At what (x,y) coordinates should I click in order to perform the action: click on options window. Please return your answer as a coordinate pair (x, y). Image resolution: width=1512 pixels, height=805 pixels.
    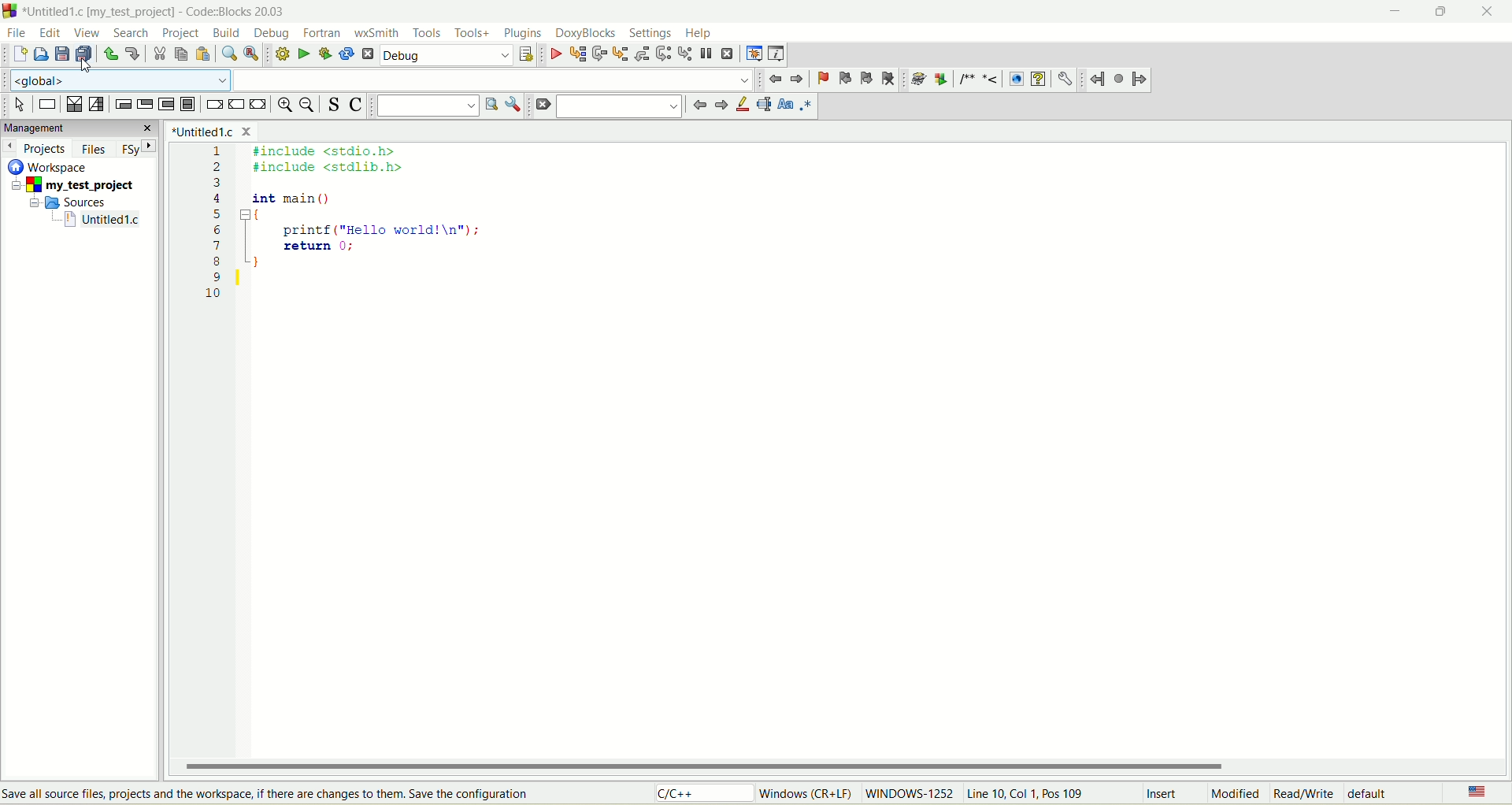
    Looking at the image, I should click on (513, 104).